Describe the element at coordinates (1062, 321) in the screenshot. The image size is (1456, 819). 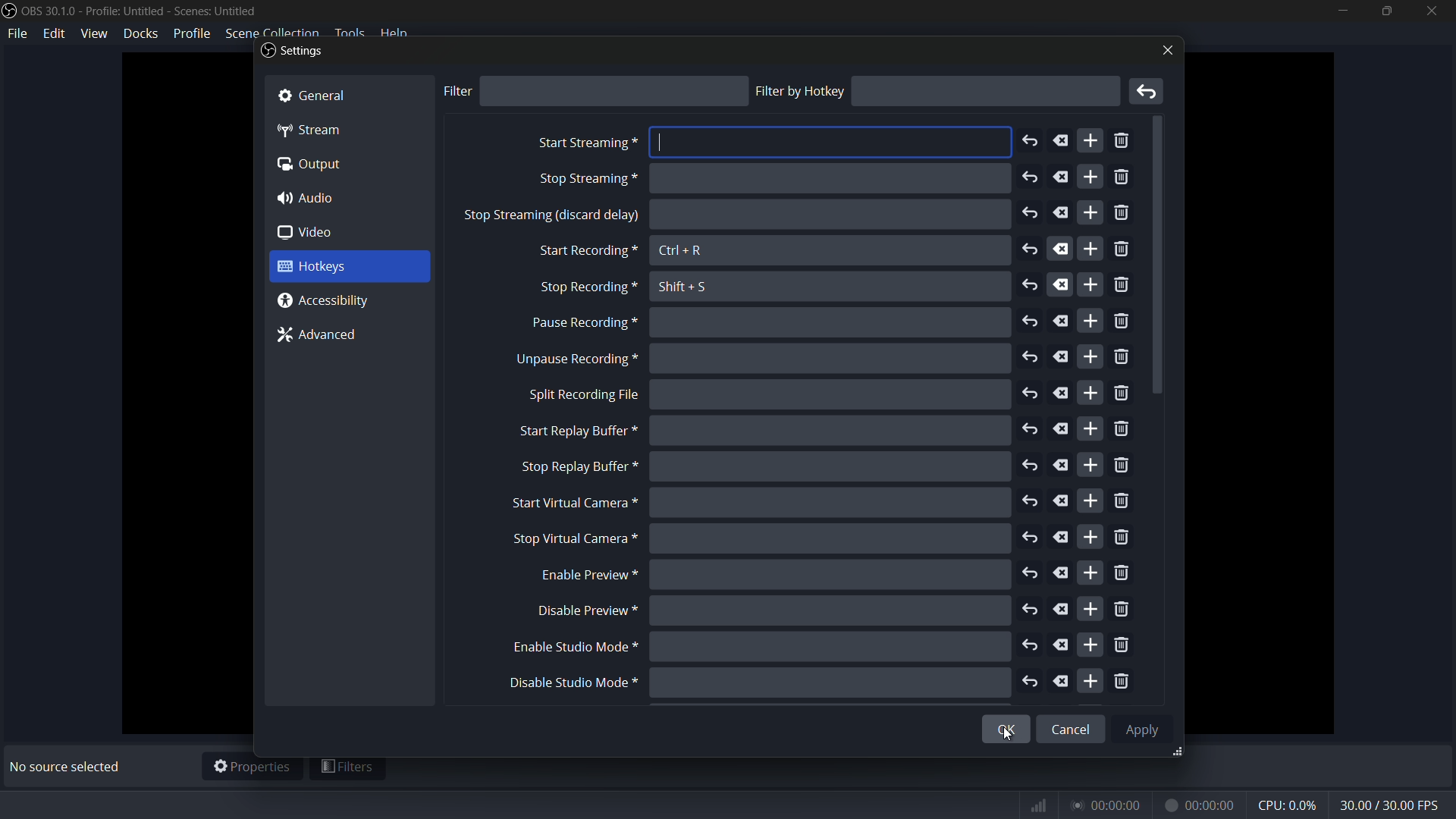
I see `delete` at that location.